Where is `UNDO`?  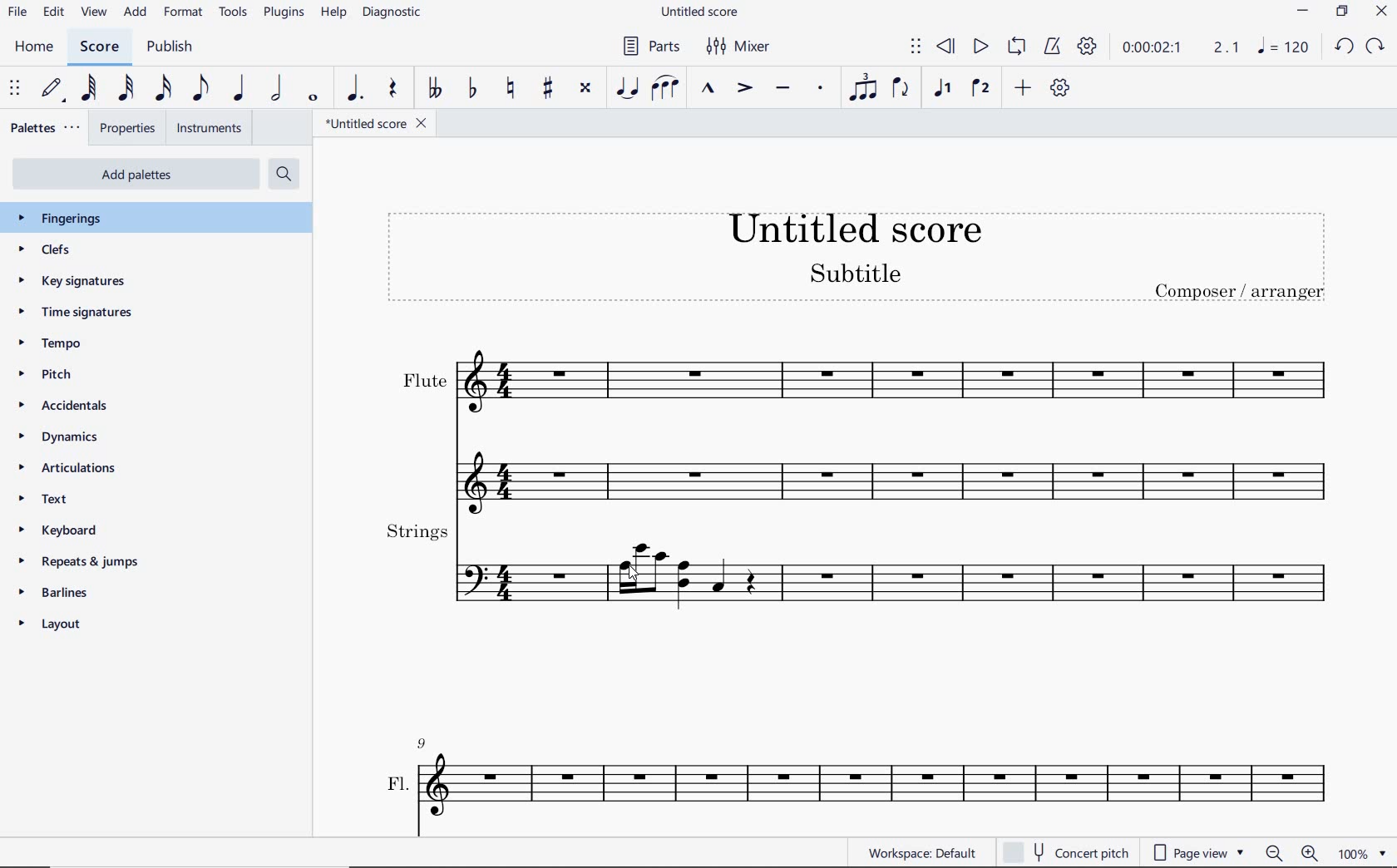
UNDO is located at coordinates (1344, 46).